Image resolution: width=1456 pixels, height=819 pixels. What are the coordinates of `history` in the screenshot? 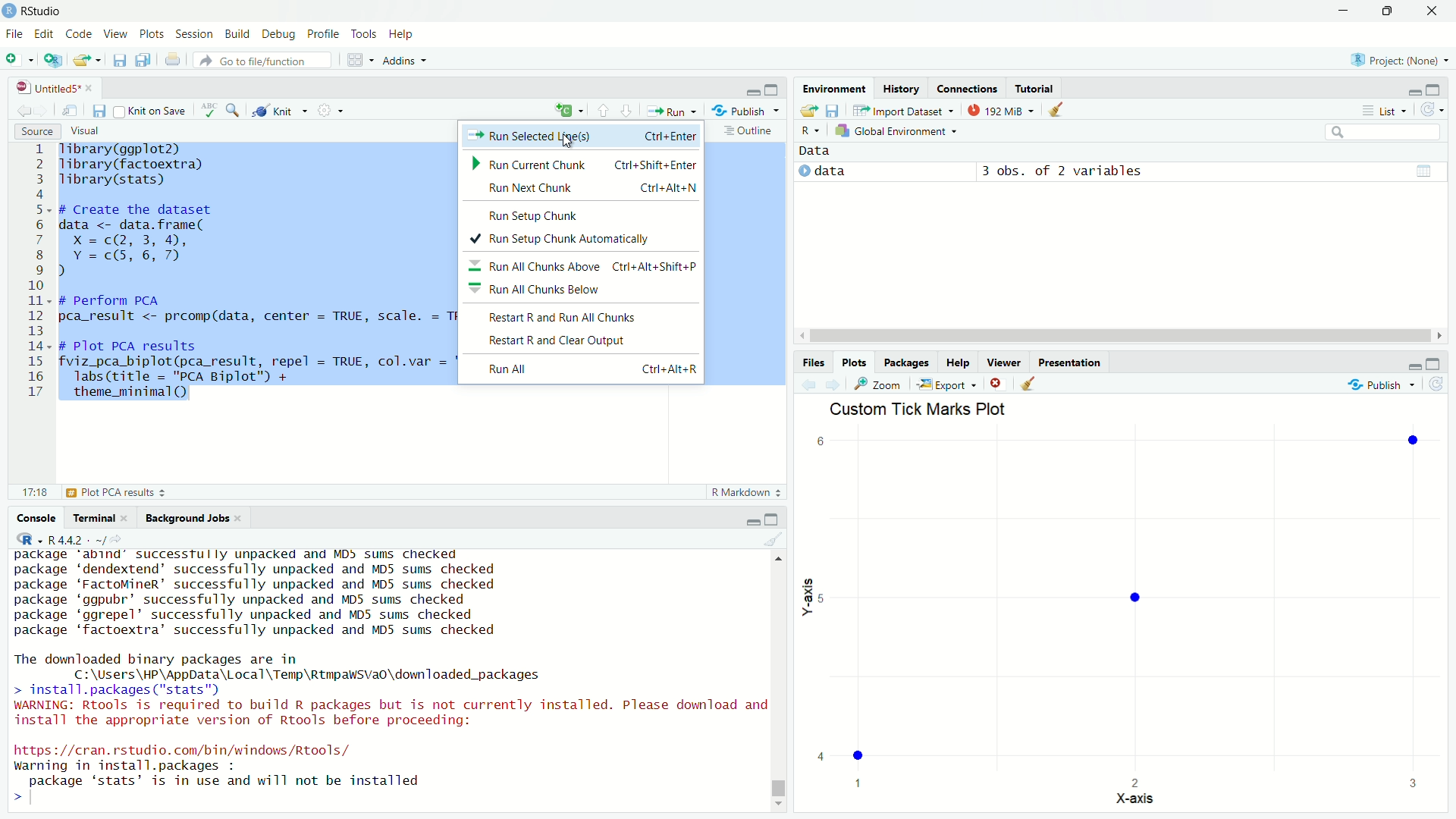 It's located at (902, 89).